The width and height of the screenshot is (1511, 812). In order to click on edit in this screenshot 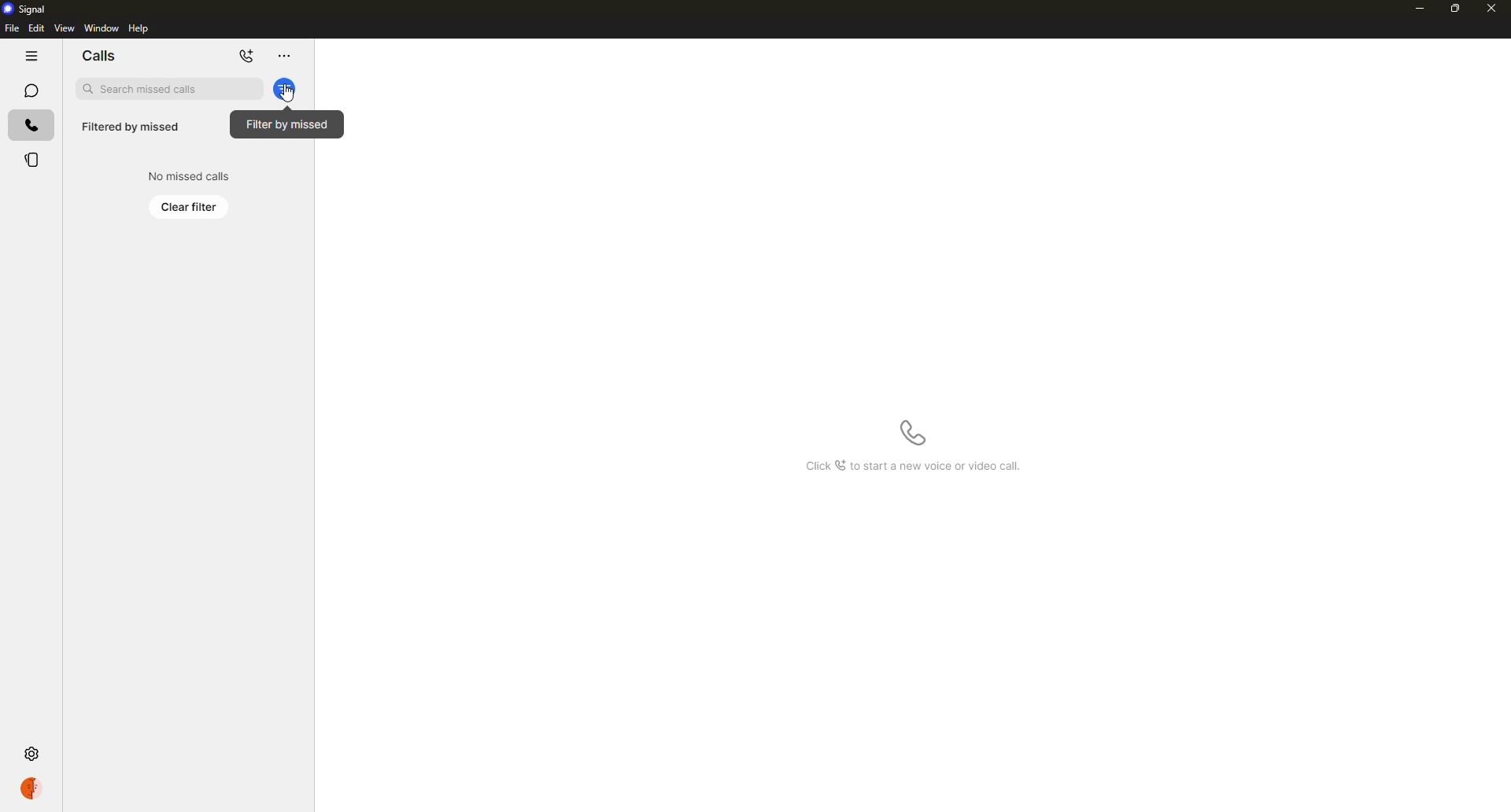, I will do `click(35, 28)`.